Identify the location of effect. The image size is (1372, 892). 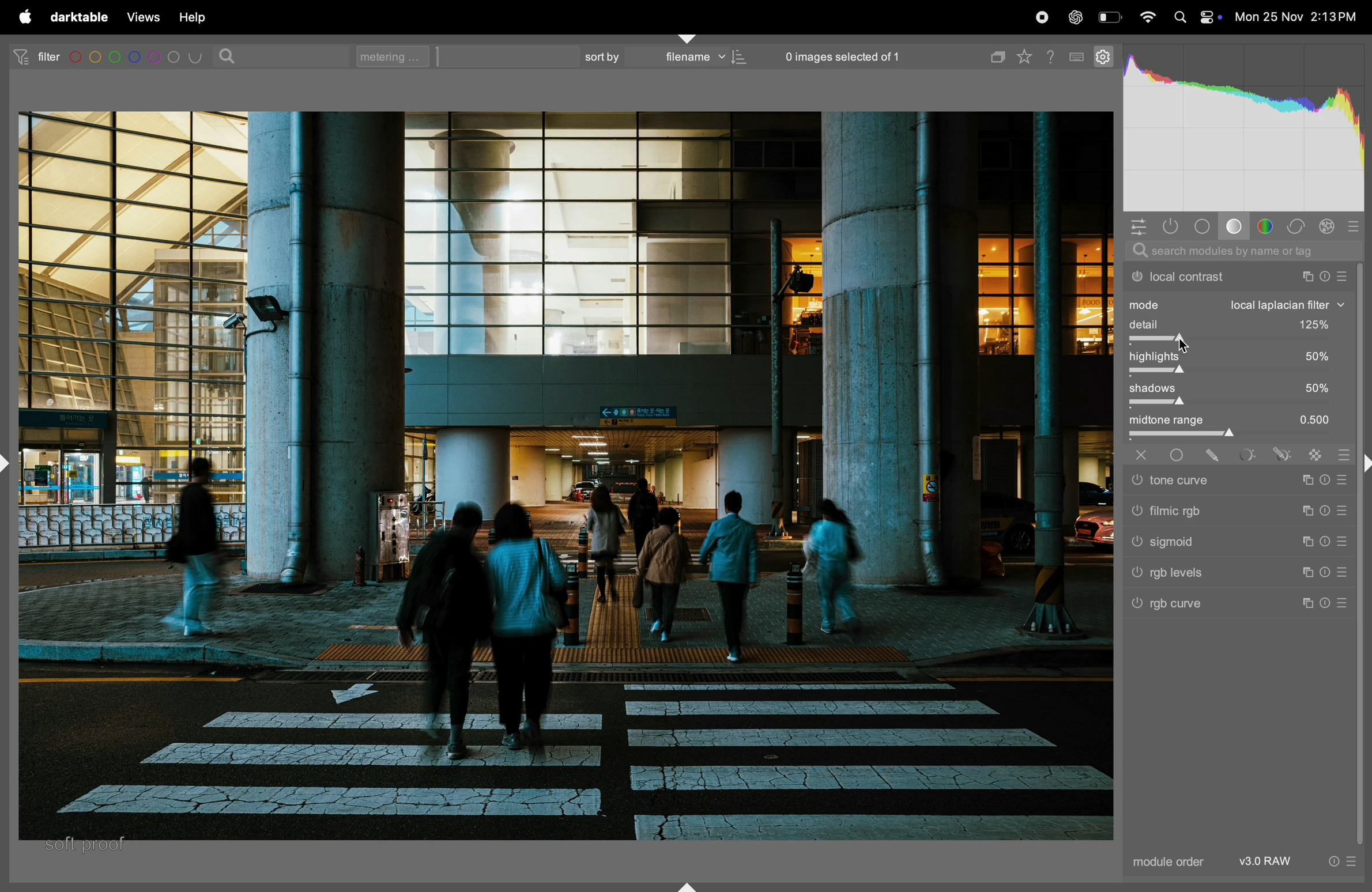
(1327, 225).